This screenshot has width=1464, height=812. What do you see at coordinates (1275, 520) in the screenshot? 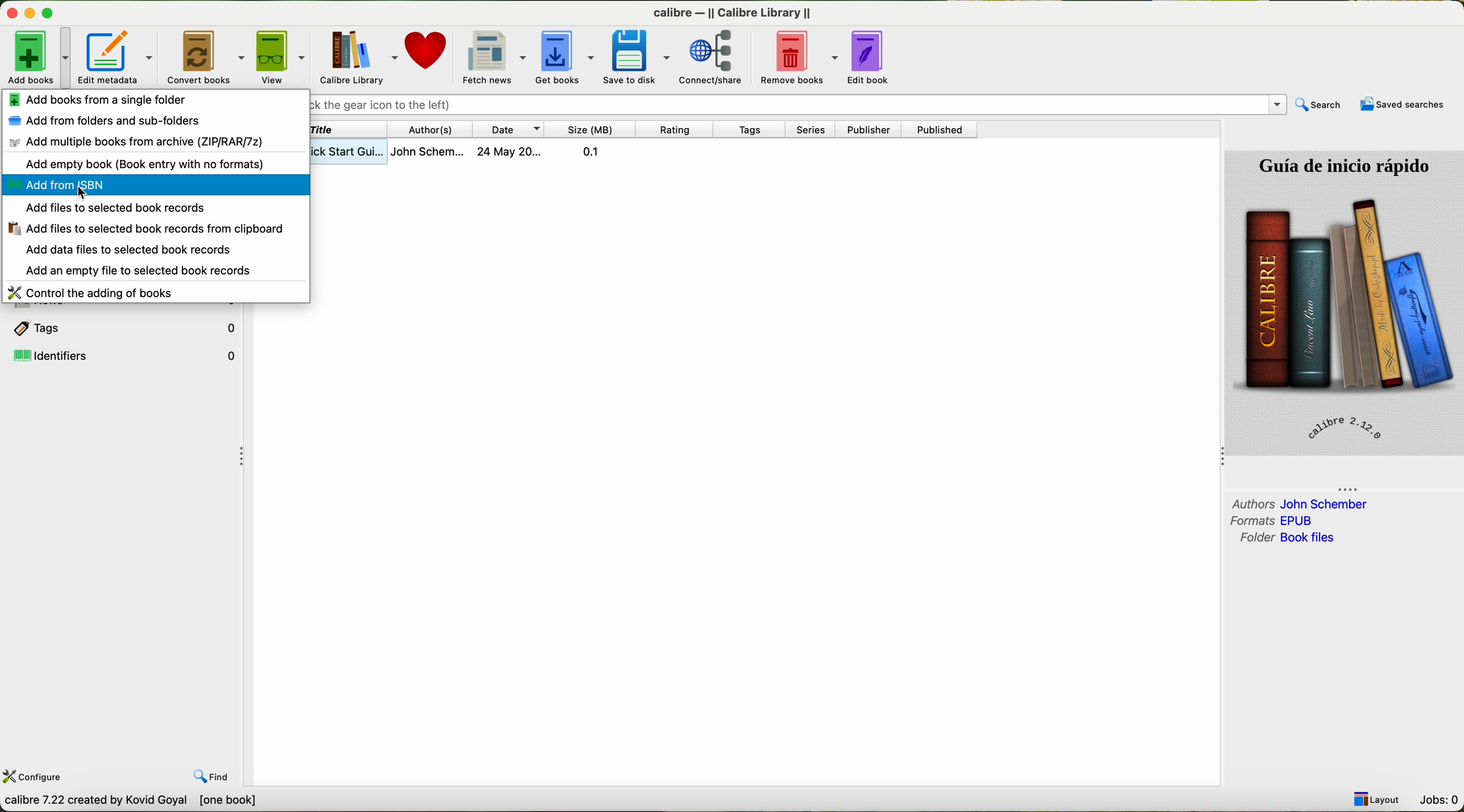
I see `formats` at bounding box center [1275, 520].